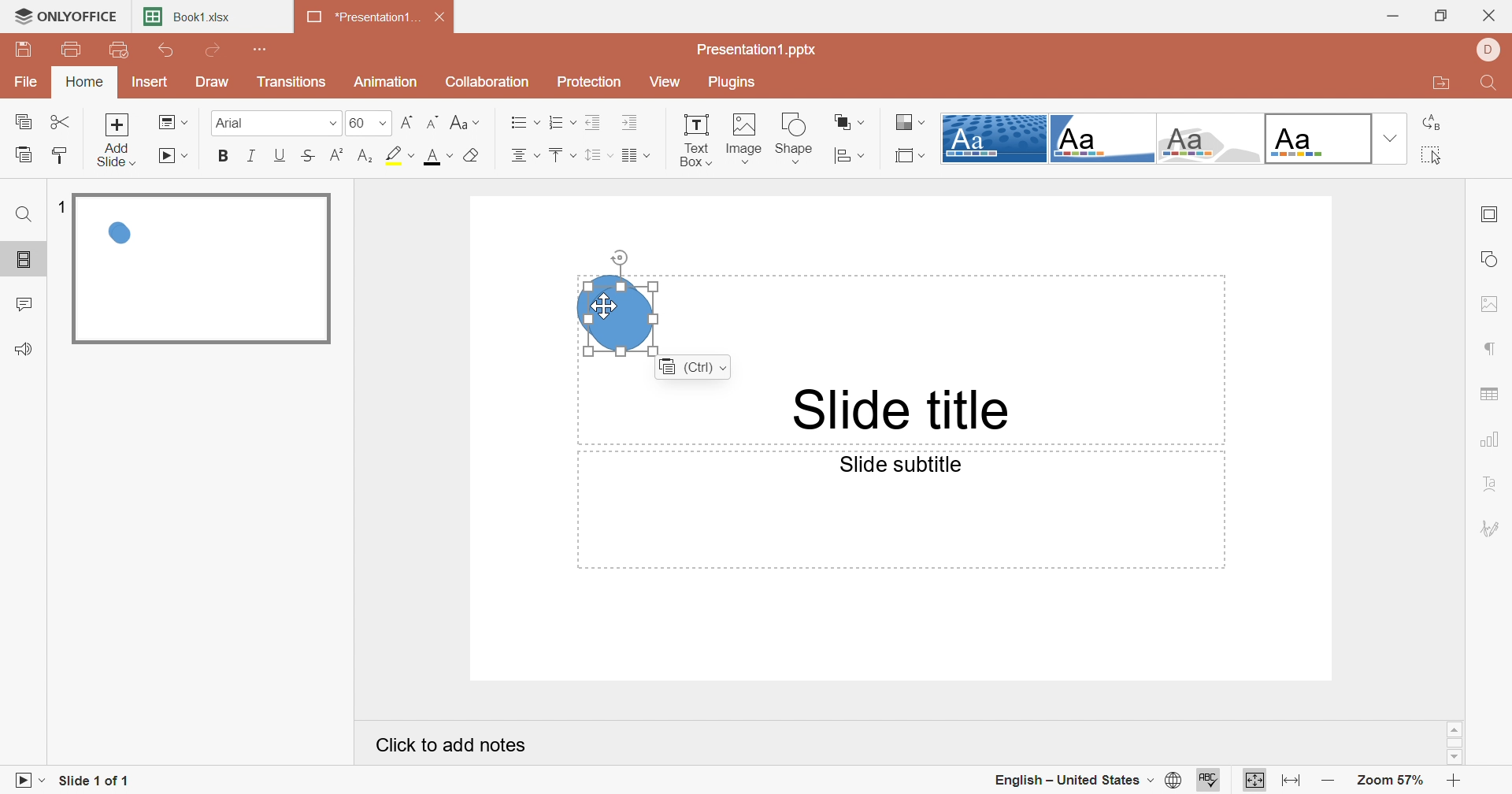 This screenshot has width=1512, height=794. I want to click on Protection, so click(593, 82).